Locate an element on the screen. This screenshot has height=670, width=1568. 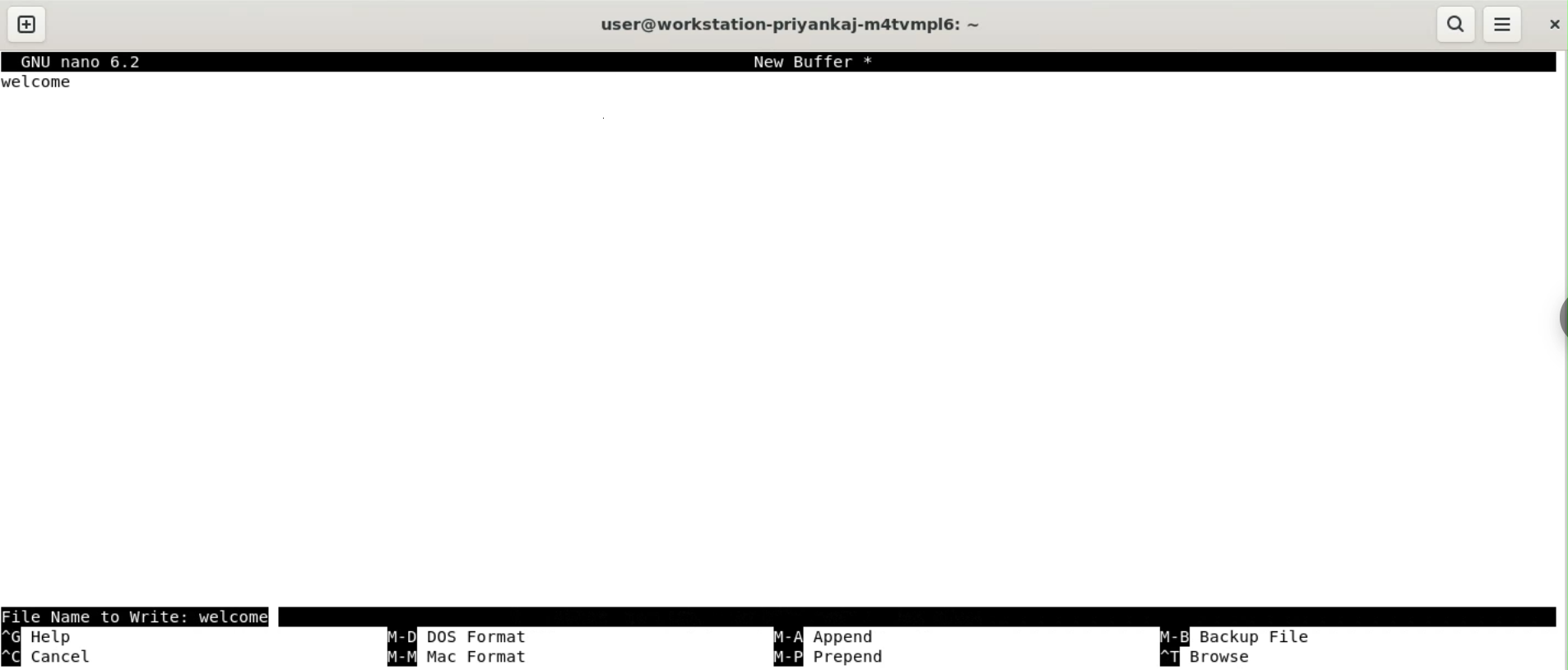
prepend is located at coordinates (832, 657).